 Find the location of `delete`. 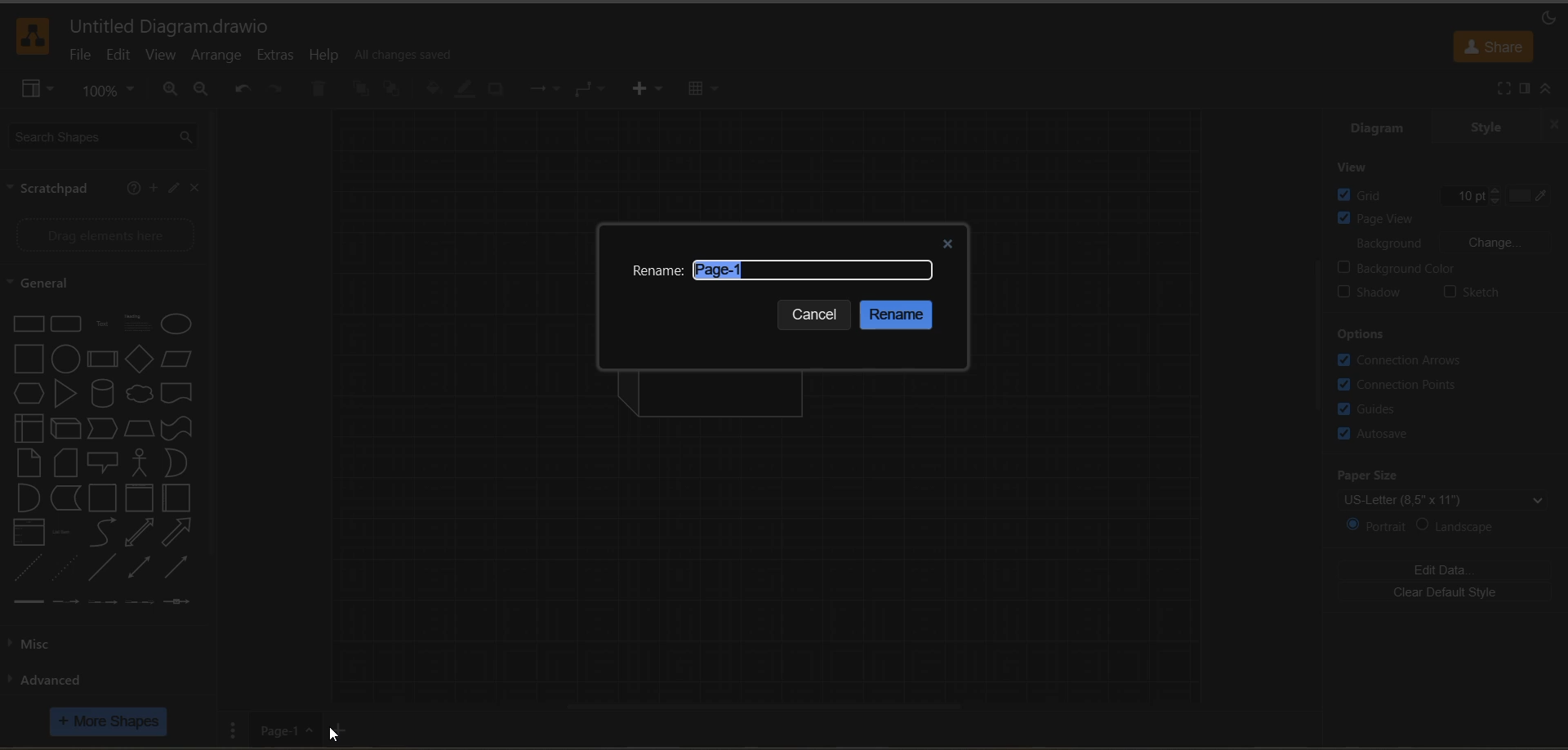

delete is located at coordinates (317, 90).